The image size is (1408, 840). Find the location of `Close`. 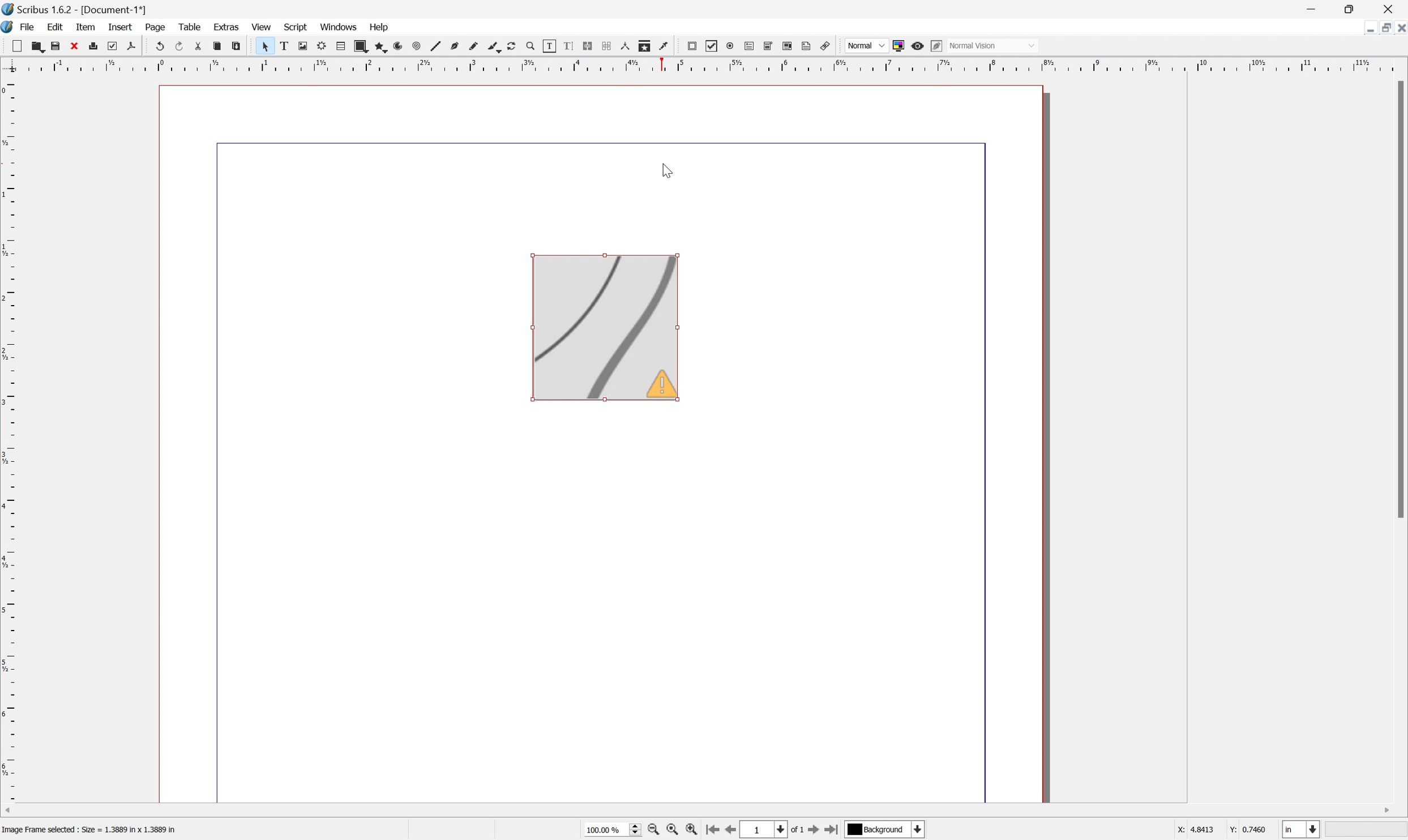

Close is located at coordinates (76, 46).